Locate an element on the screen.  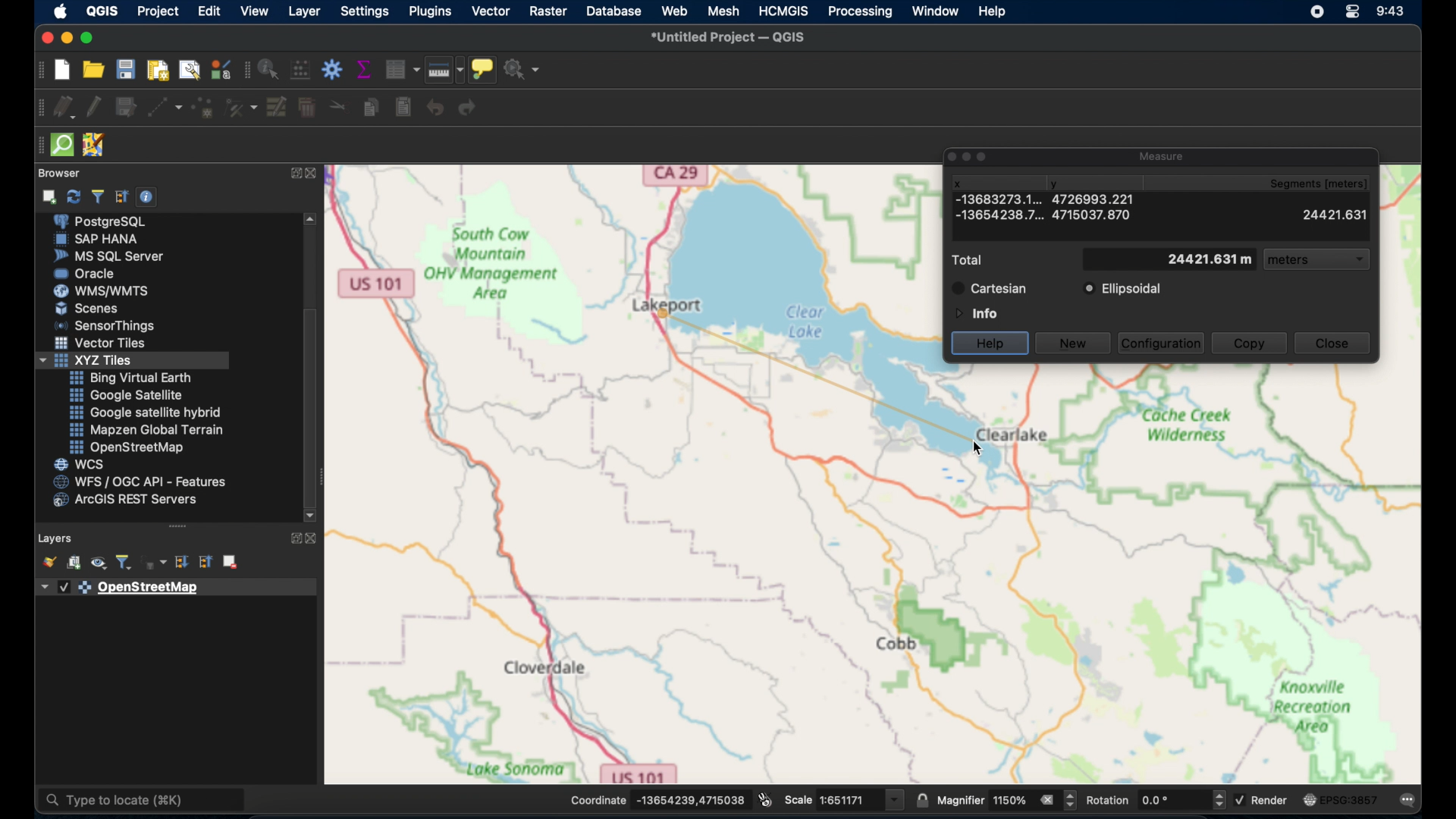
copy is located at coordinates (1250, 344).